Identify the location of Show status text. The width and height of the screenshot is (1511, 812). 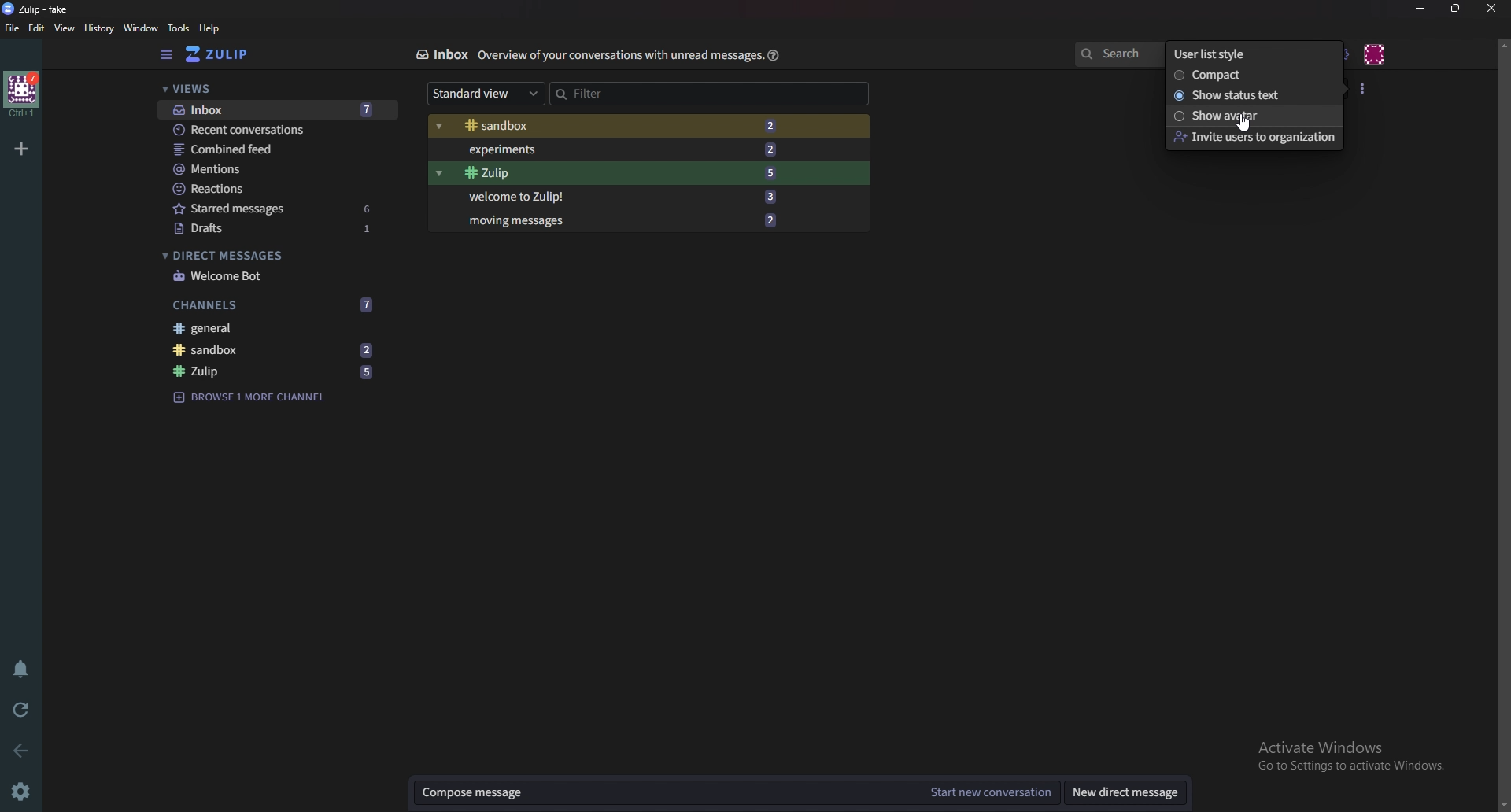
(1249, 96).